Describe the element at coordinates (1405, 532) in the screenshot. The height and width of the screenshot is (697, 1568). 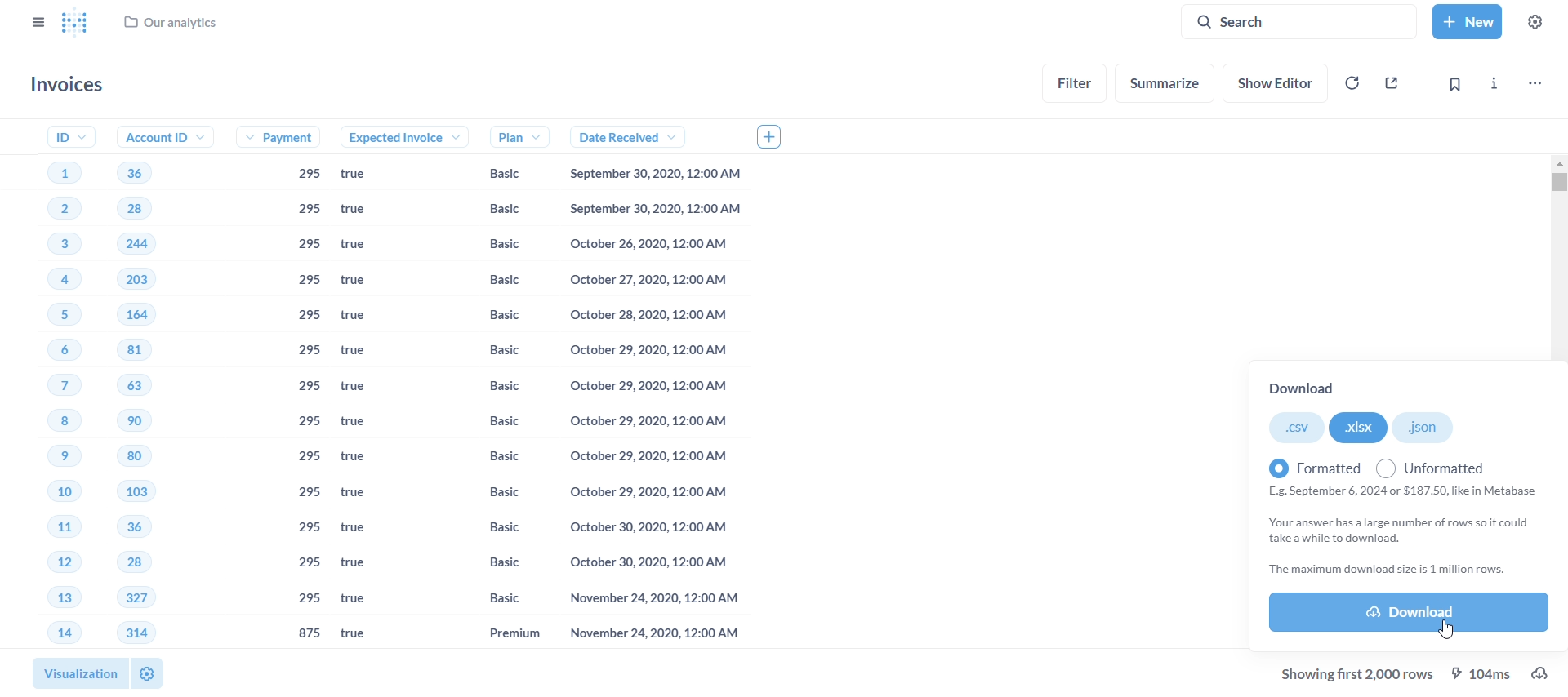
I see `E.g. September 6, 2024 or $187.50, like in Metabase
Your answer has a large number of rows so it could
take awhile to download.

‘The maximum download size is 1 million rows.` at that location.